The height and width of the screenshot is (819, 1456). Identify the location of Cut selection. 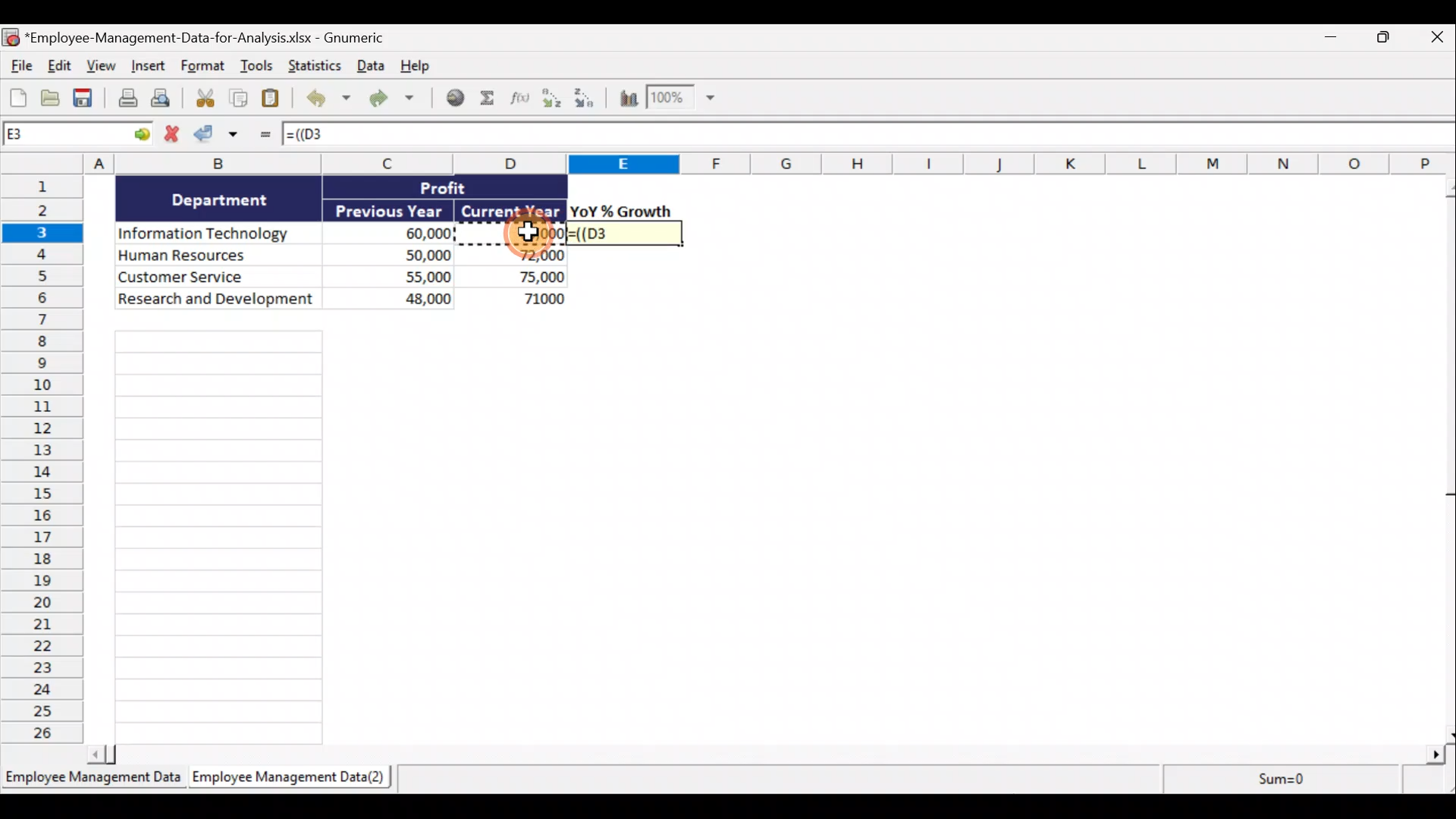
(201, 99).